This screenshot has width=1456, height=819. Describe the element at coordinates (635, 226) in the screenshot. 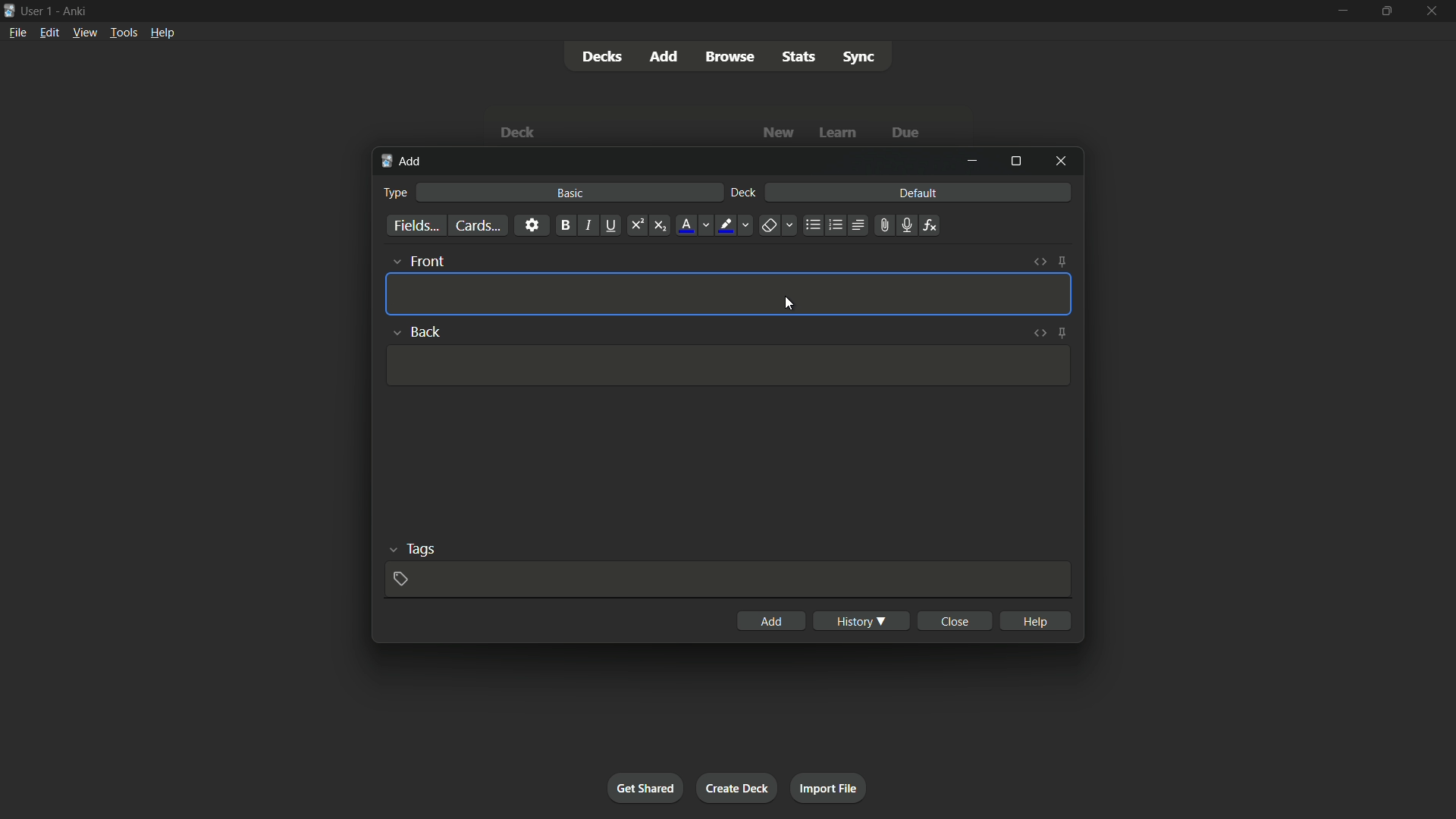

I see `supercript` at that location.